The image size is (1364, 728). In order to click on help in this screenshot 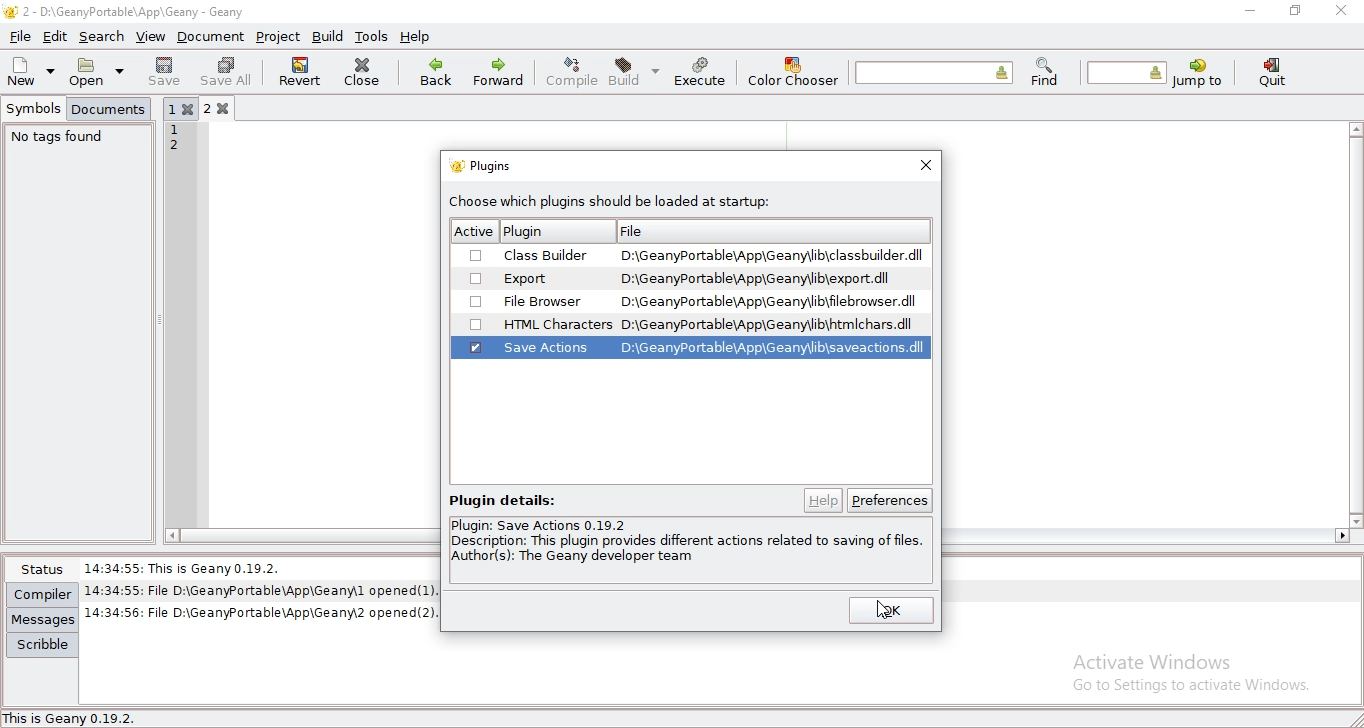, I will do `click(415, 36)`.